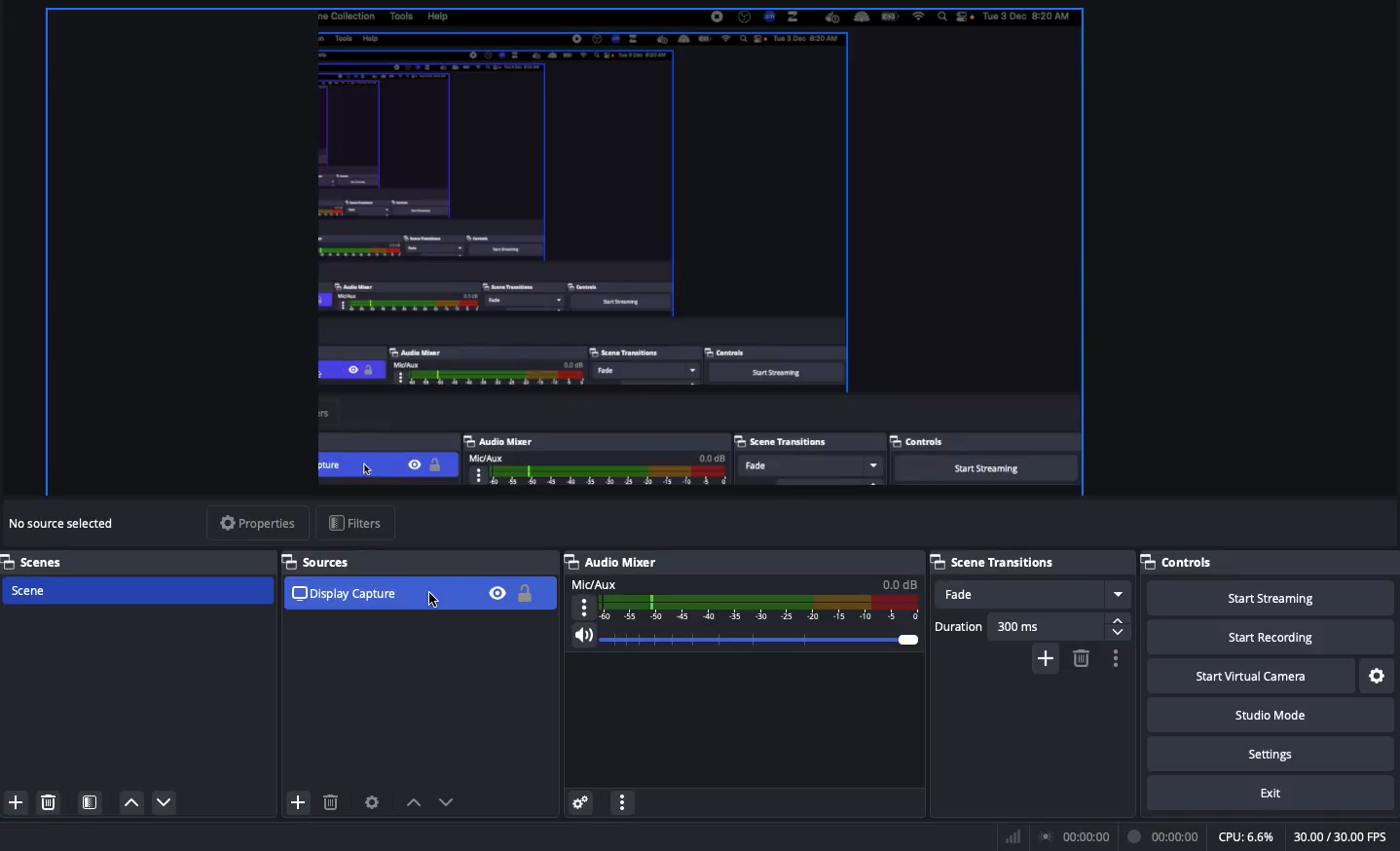 This screenshot has height=851, width=1400. What do you see at coordinates (566, 252) in the screenshot?
I see `Screen` at bounding box center [566, 252].